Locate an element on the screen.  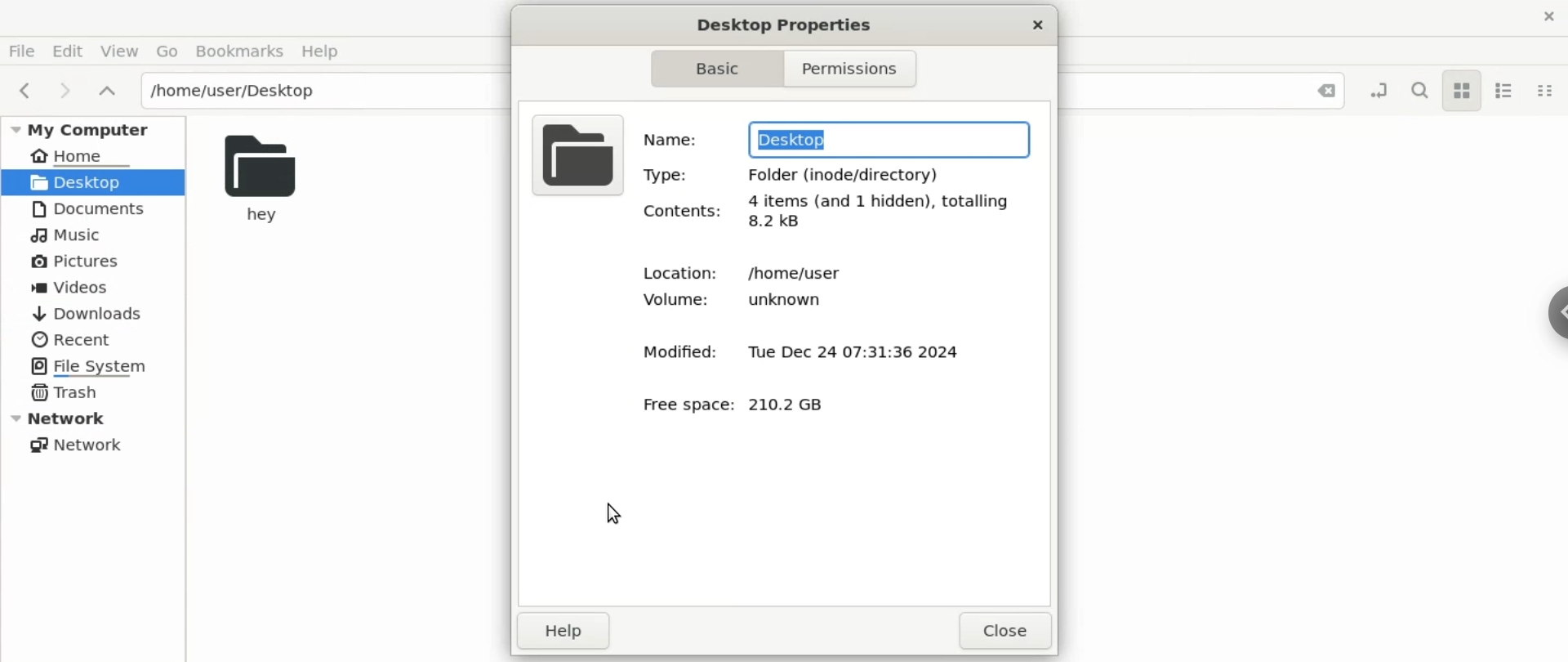
list view is located at coordinates (1512, 92).